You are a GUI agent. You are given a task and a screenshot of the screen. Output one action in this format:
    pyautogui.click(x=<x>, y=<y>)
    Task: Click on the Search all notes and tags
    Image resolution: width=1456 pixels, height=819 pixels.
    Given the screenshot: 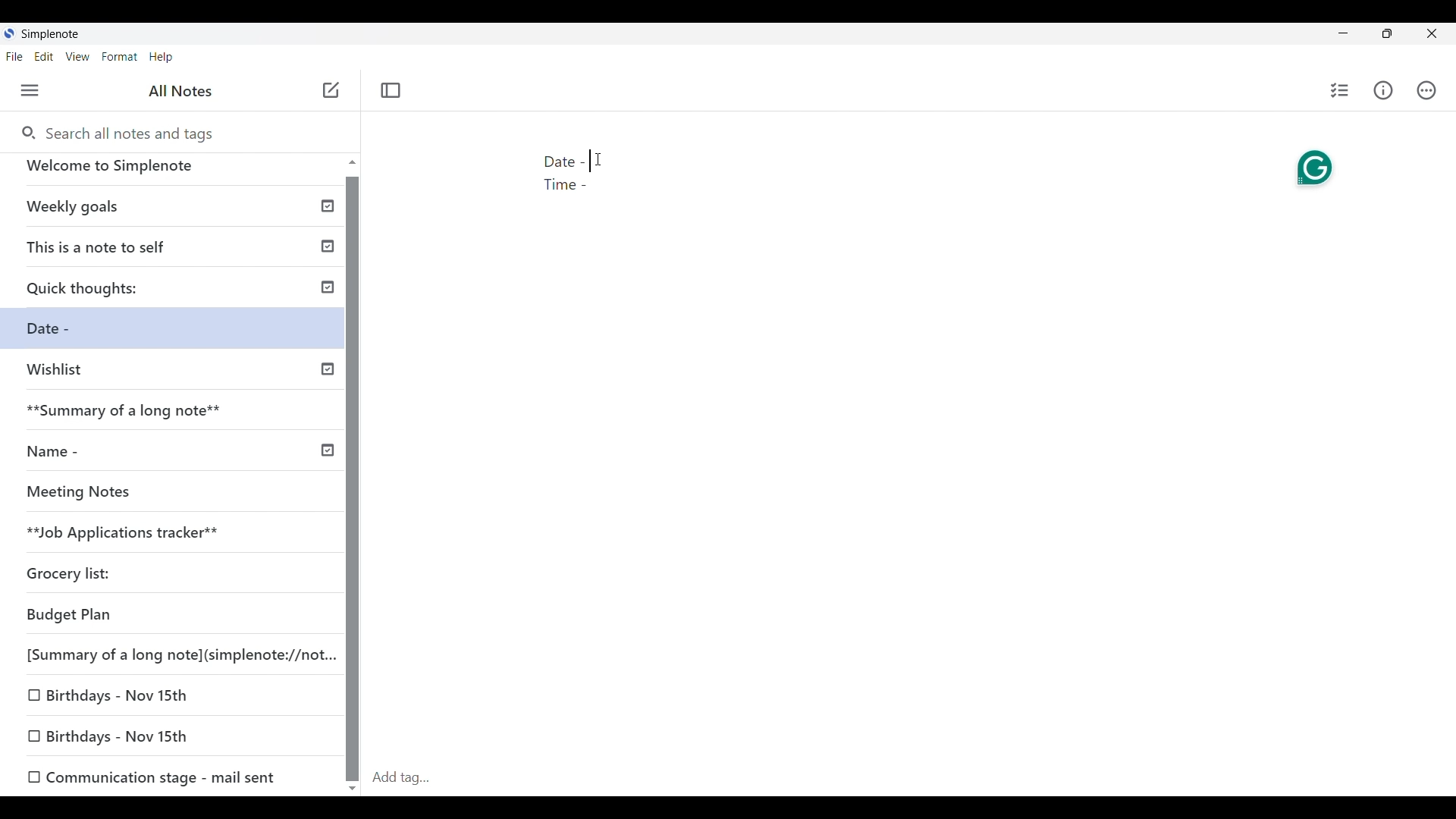 What is the action you would take?
    pyautogui.click(x=116, y=132)
    